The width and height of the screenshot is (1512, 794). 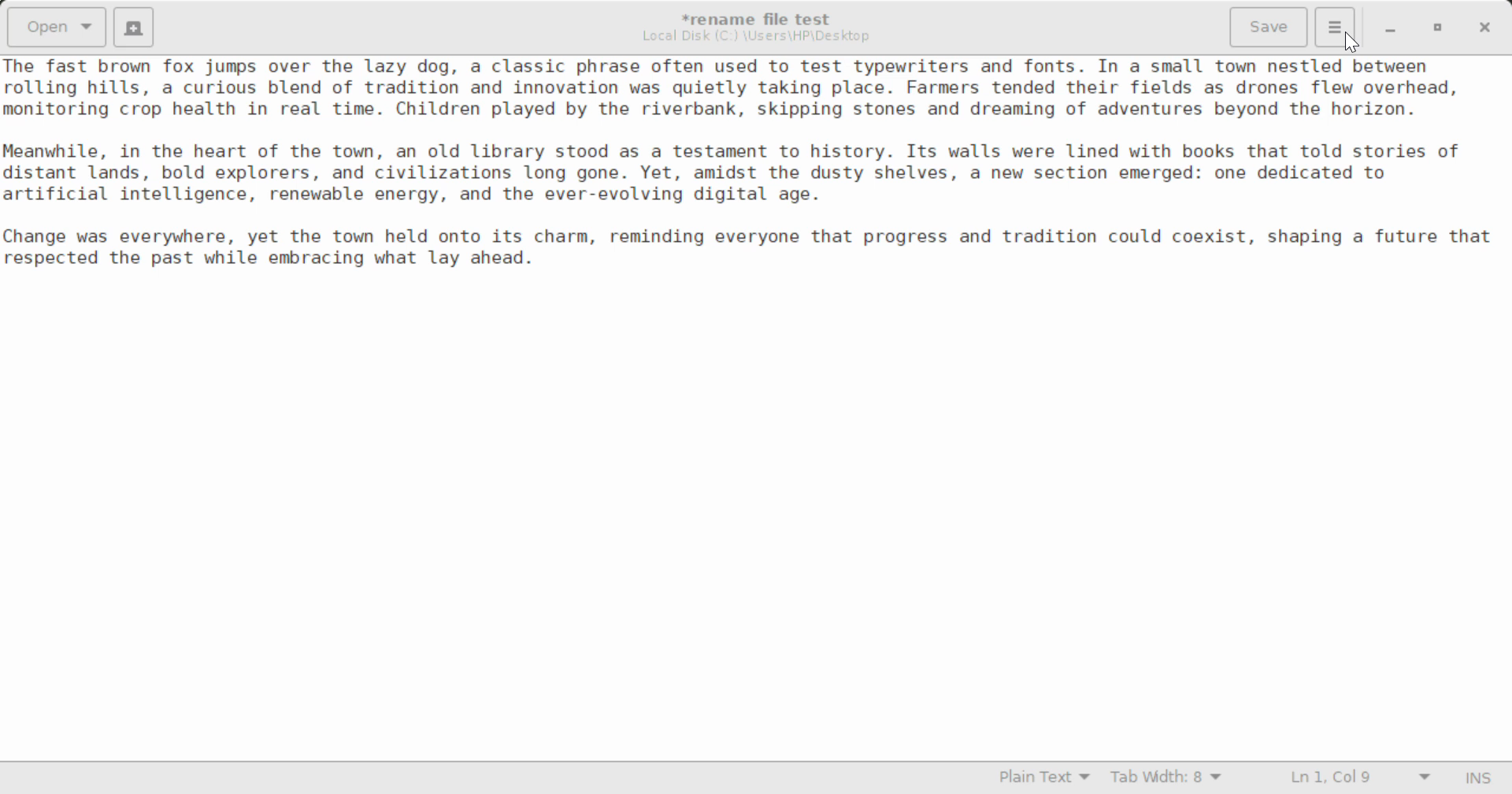 I want to click on *rename file test, so click(x=766, y=19).